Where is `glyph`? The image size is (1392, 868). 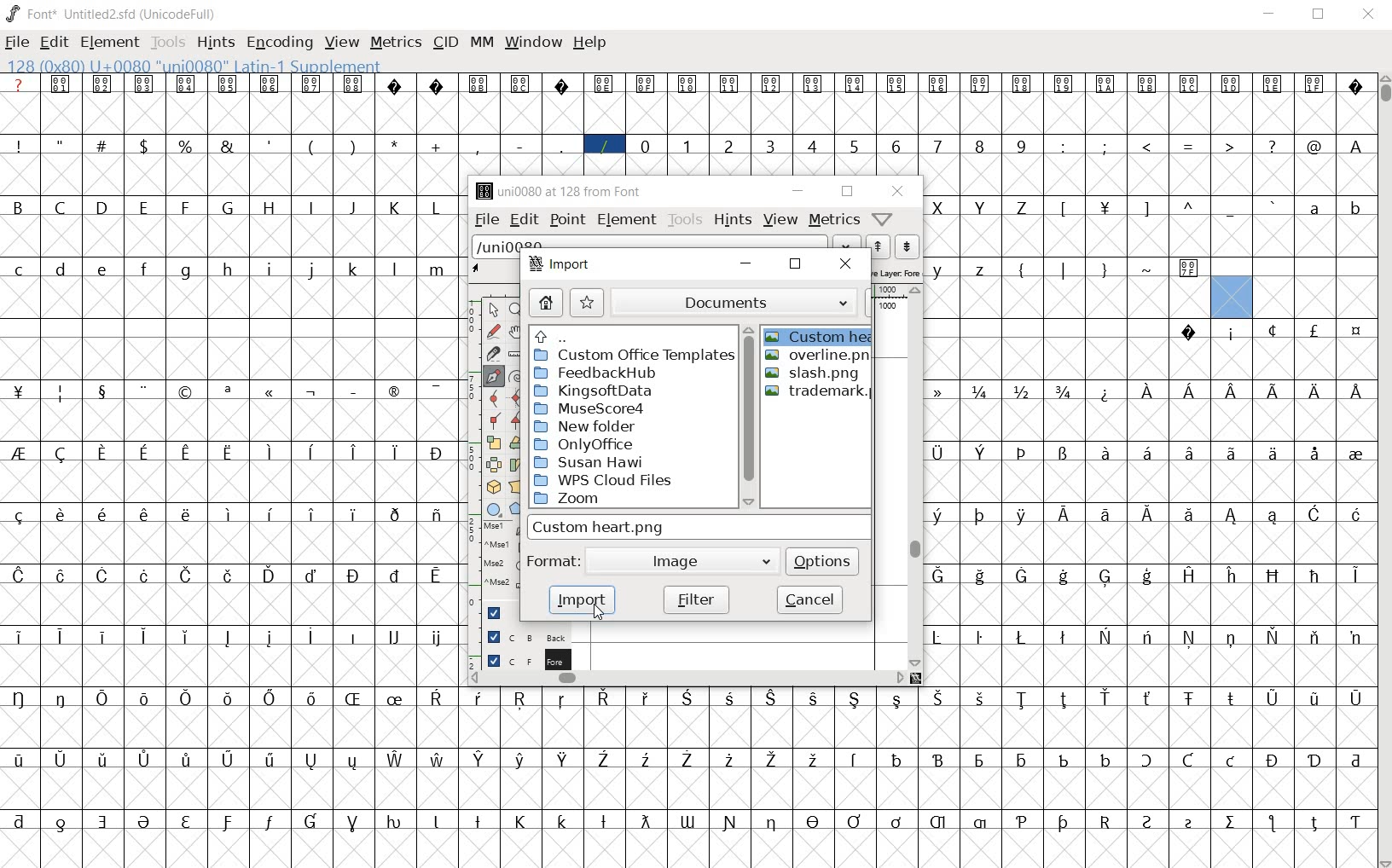
glyph is located at coordinates (437, 516).